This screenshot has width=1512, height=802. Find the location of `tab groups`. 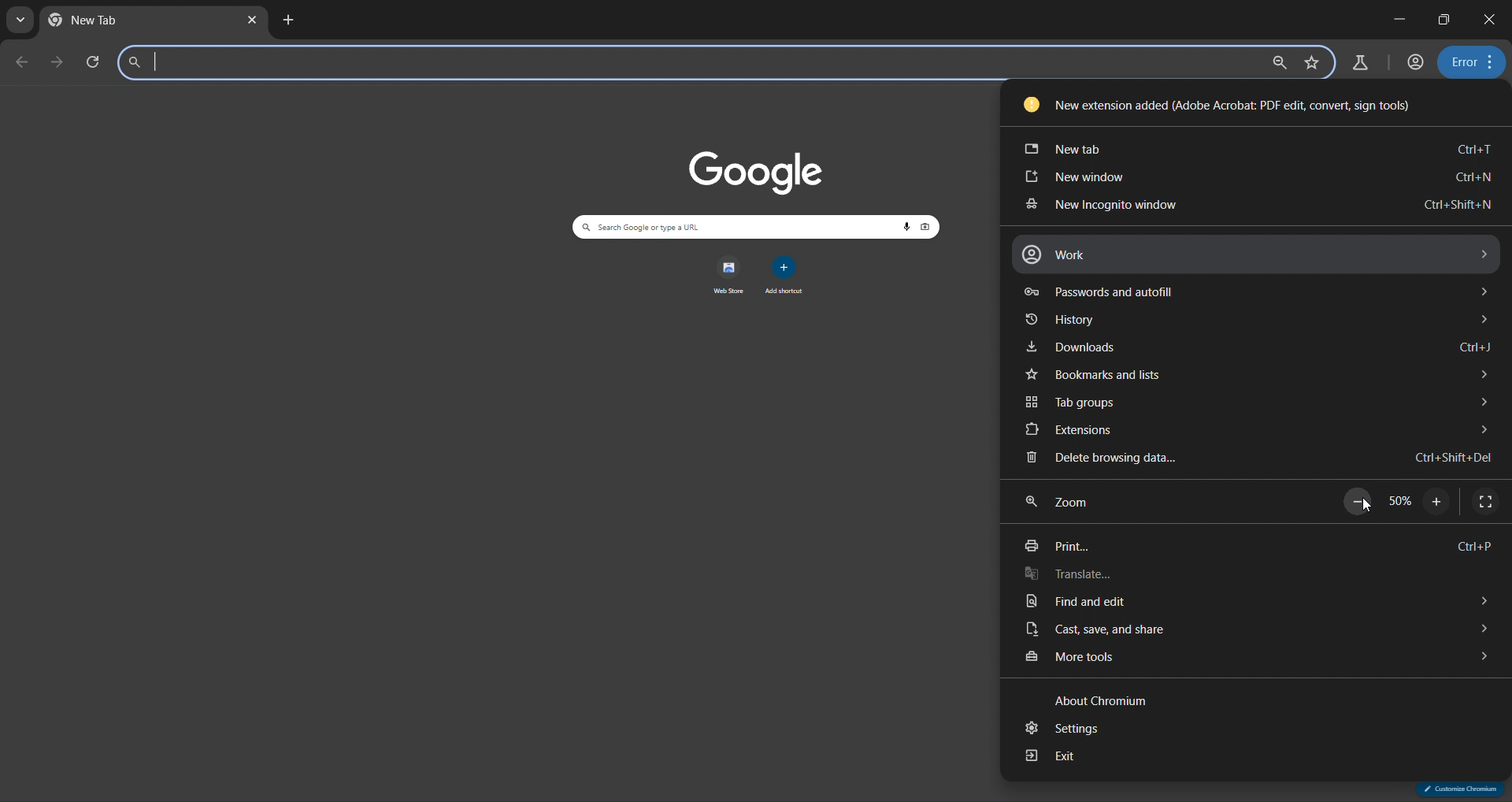

tab groups is located at coordinates (1263, 403).